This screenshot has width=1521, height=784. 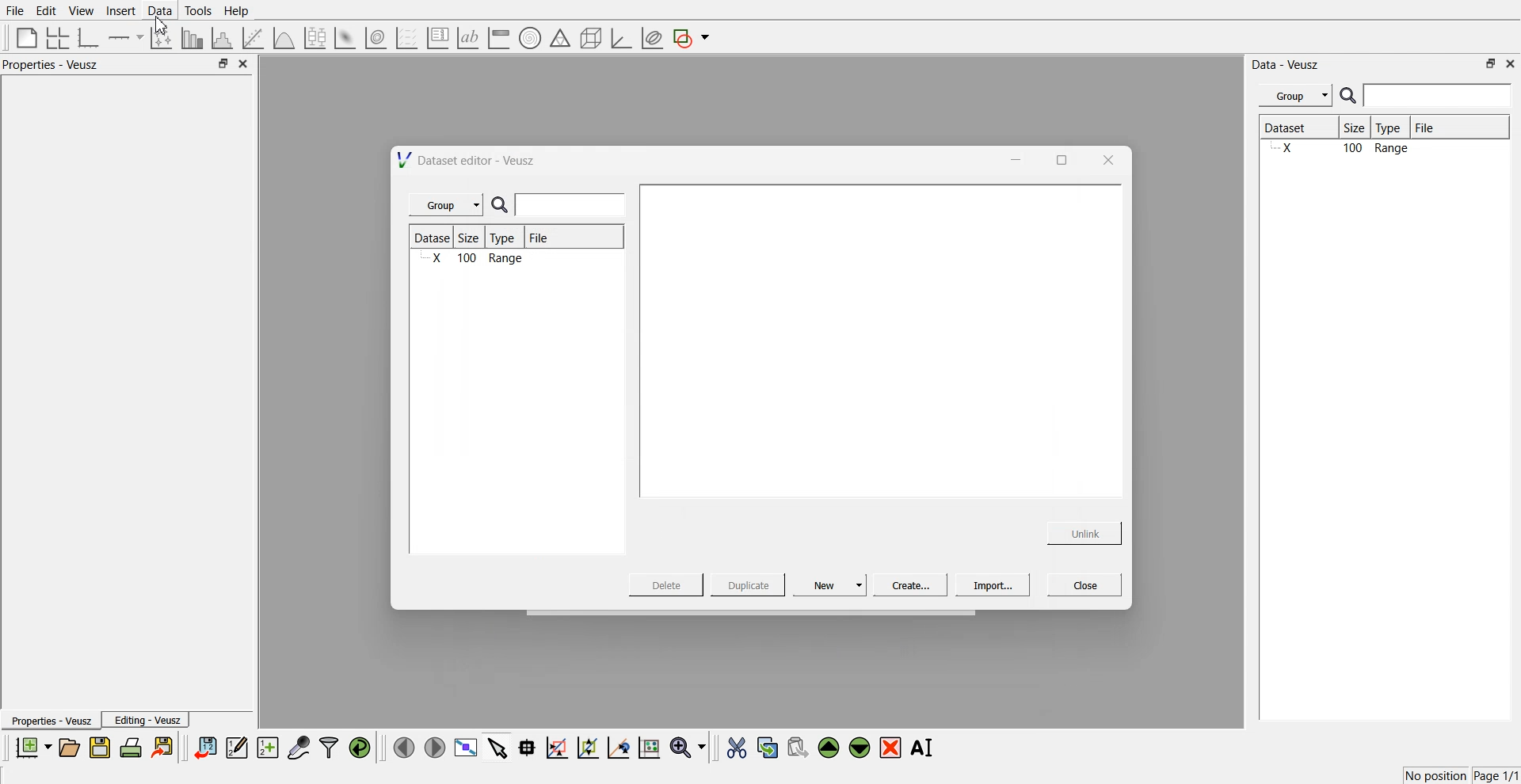 What do you see at coordinates (360, 748) in the screenshot?
I see `reload the data points` at bounding box center [360, 748].